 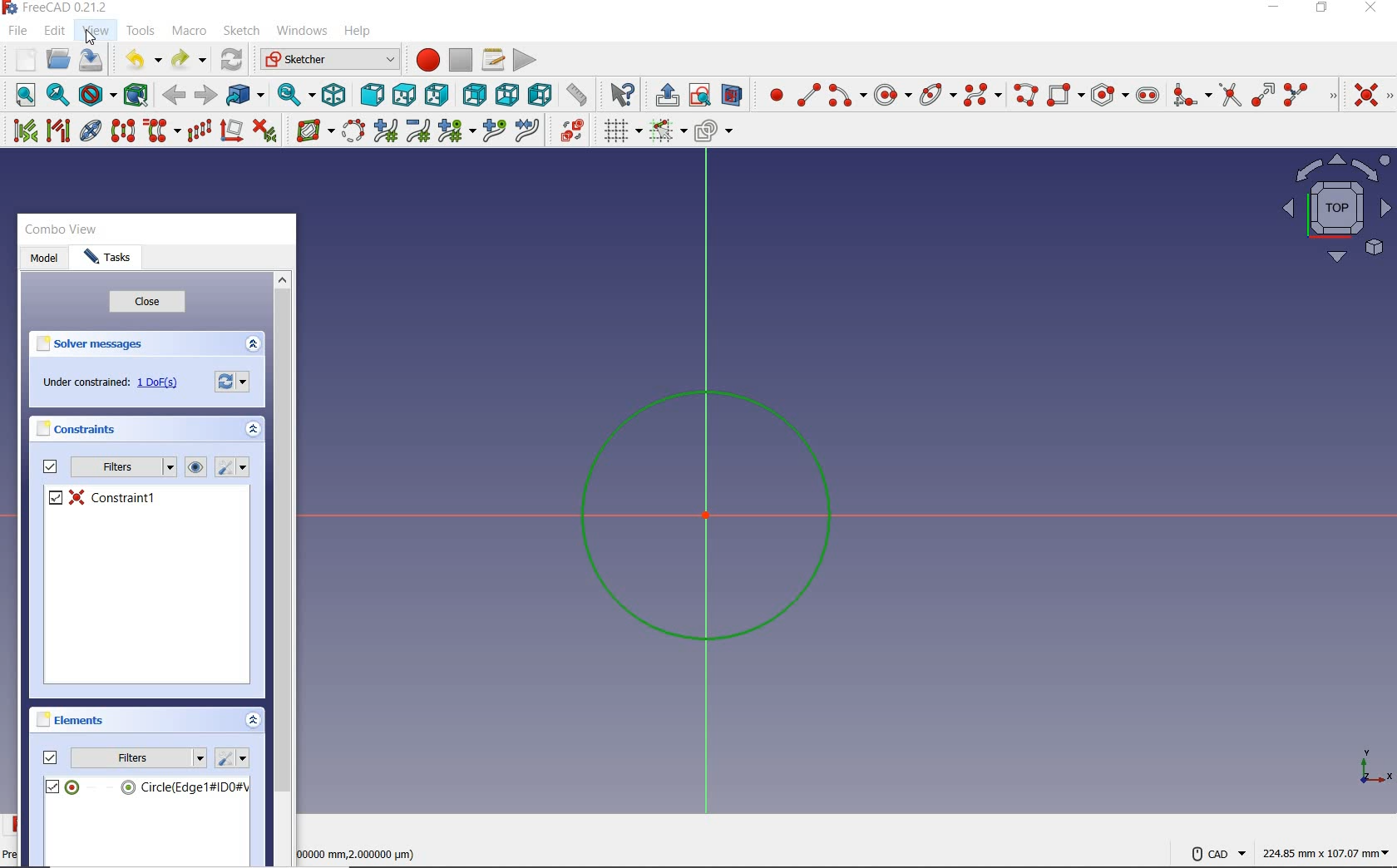 I want to click on system name, so click(x=58, y=10).